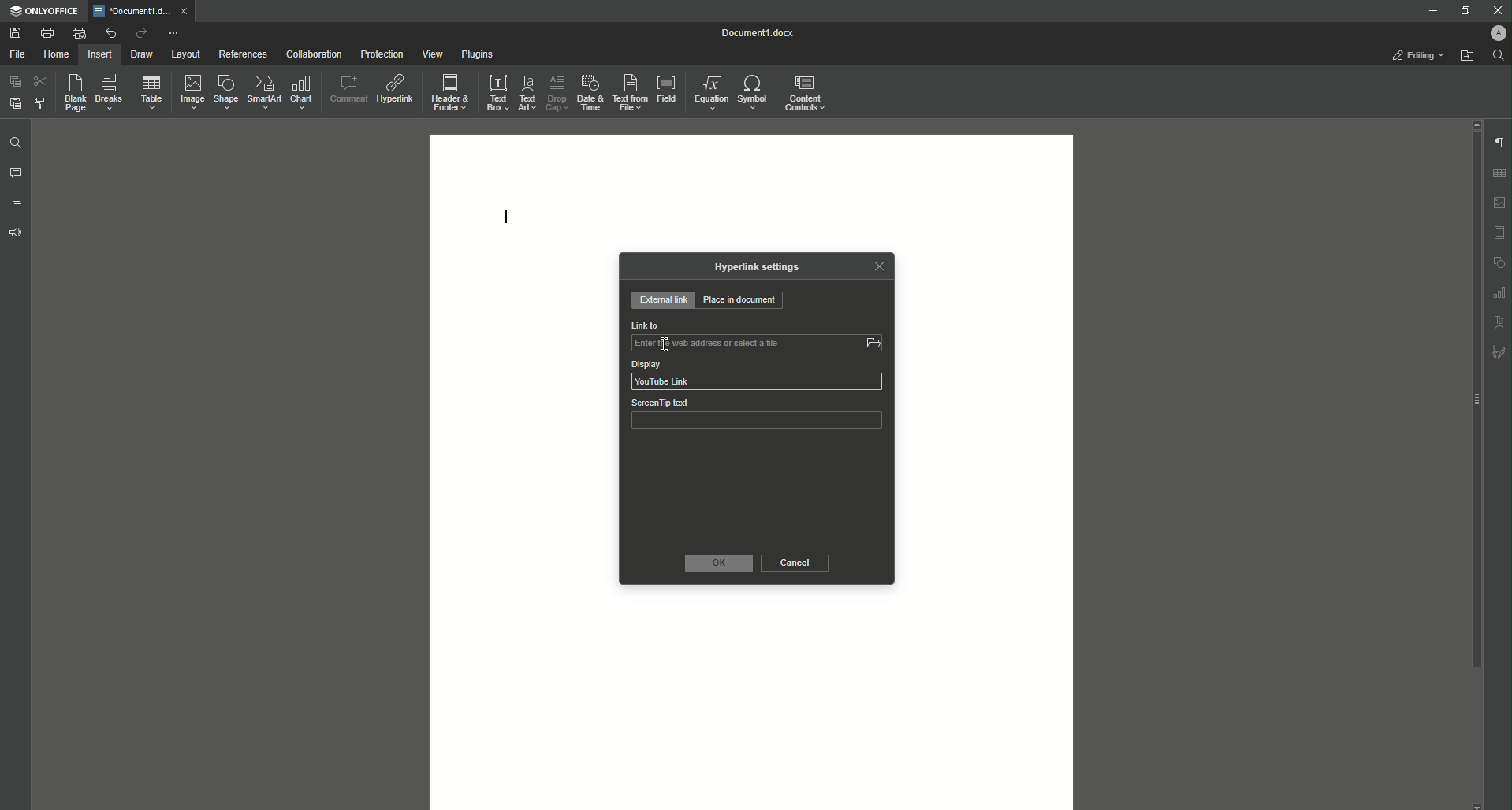  What do you see at coordinates (184, 54) in the screenshot?
I see `Layout` at bounding box center [184, 54].